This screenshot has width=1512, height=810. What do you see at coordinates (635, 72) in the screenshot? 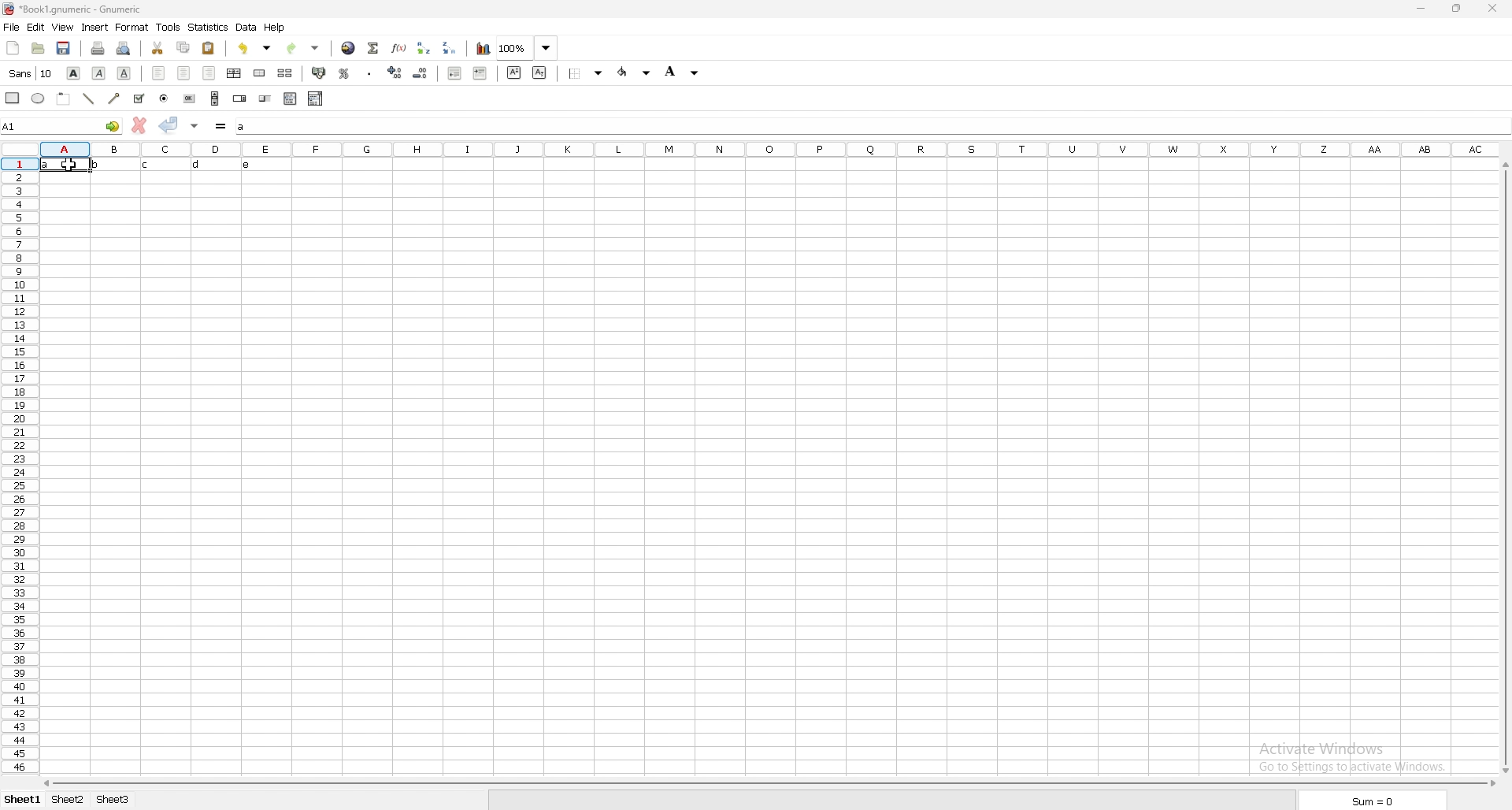
I see `foreground` at bounding box center [635, 72].